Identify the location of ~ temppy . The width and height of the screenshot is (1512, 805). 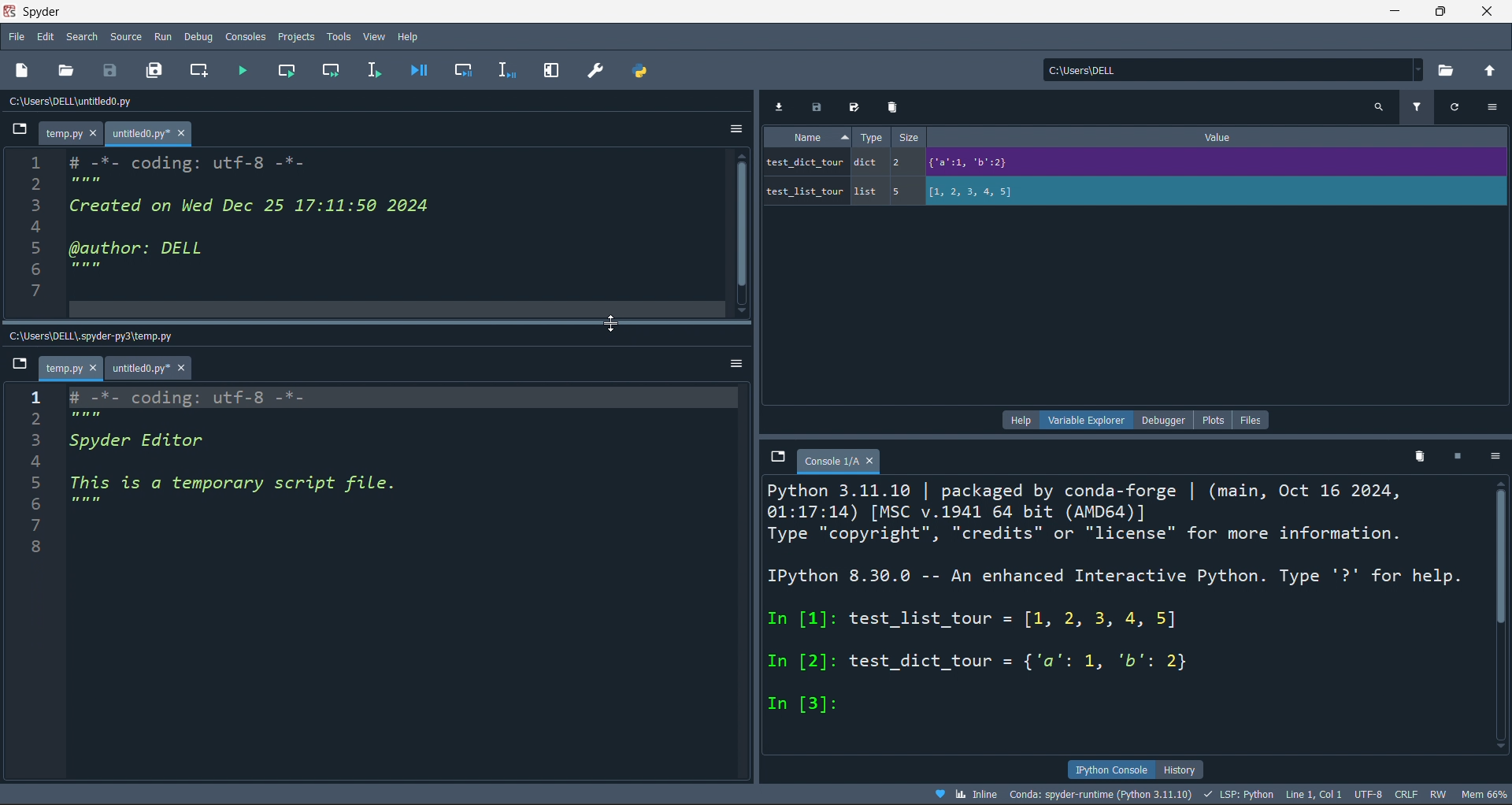
(69, 369).